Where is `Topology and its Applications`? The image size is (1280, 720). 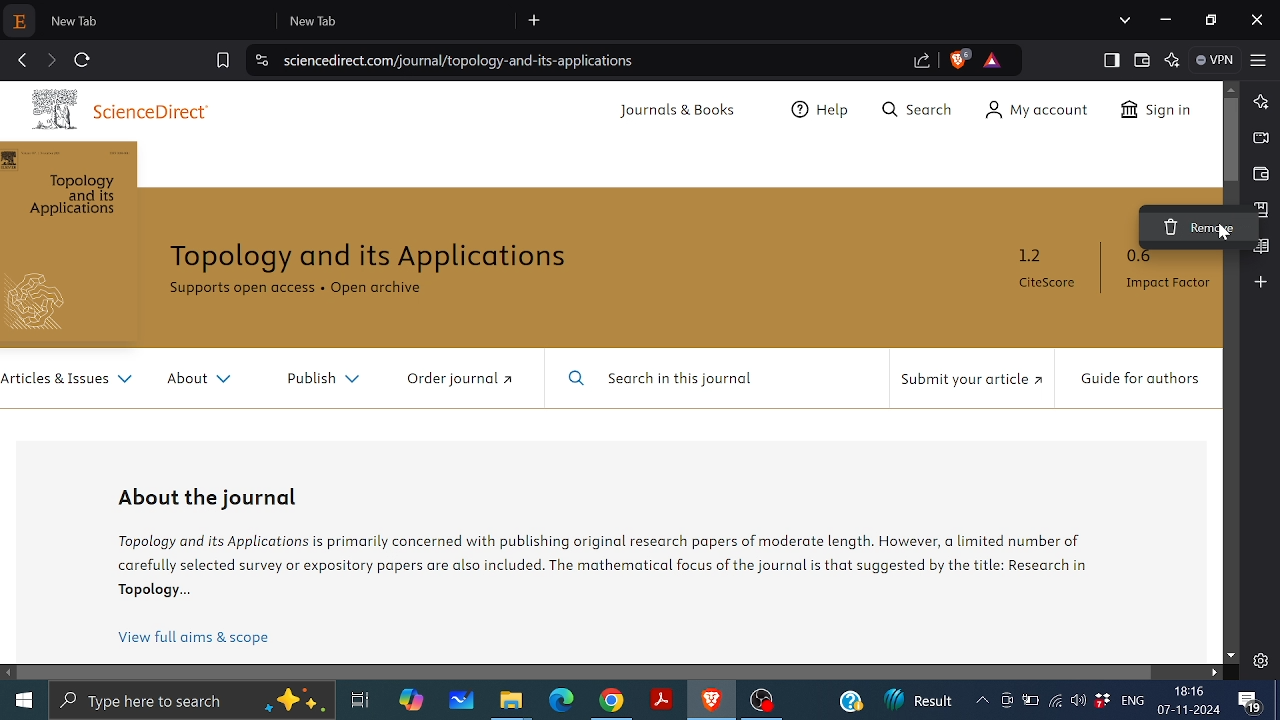
Topology and its Applications is located at coordinates (69, 197).